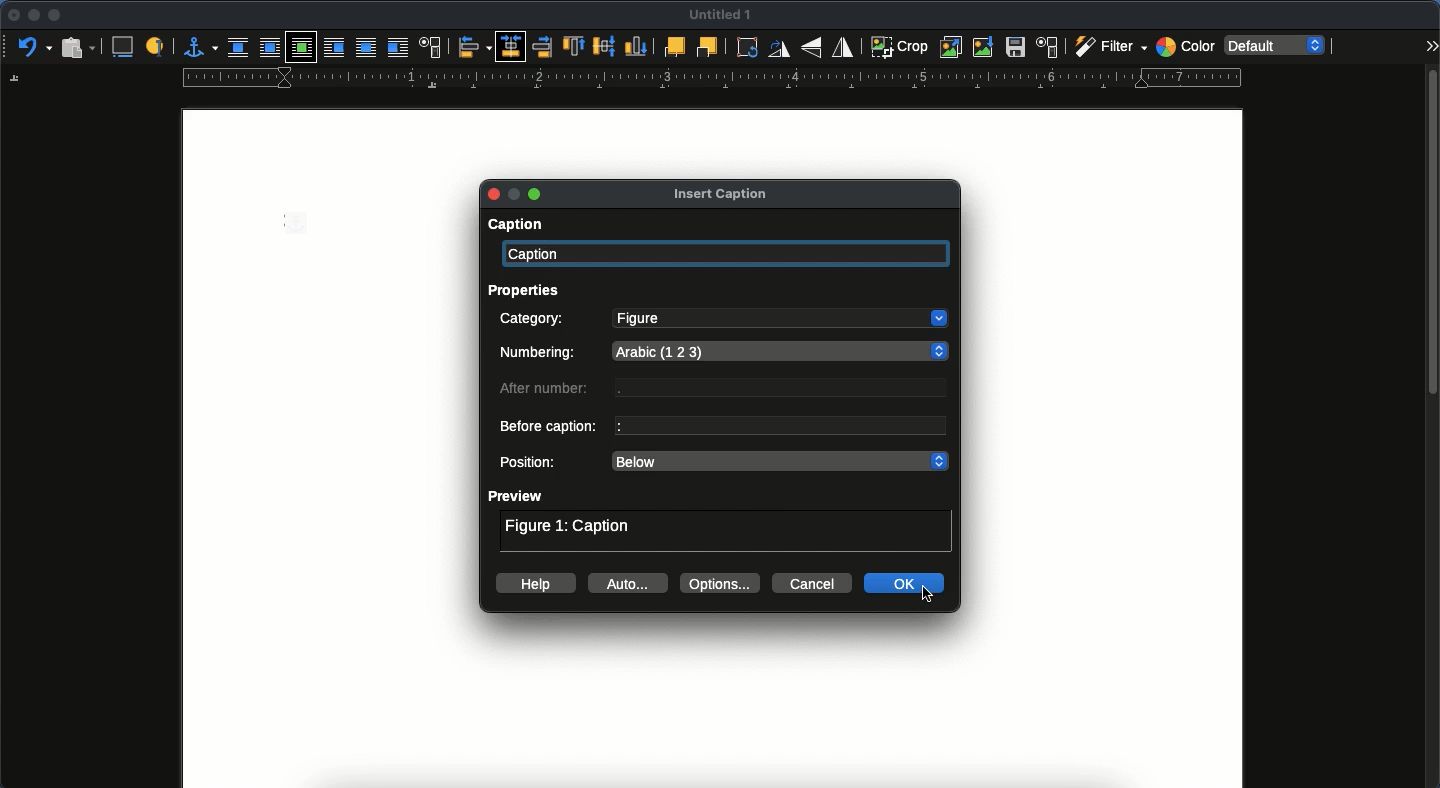 The image size is (1440, 788). I want to click on arabic 123, so click(785, 349).